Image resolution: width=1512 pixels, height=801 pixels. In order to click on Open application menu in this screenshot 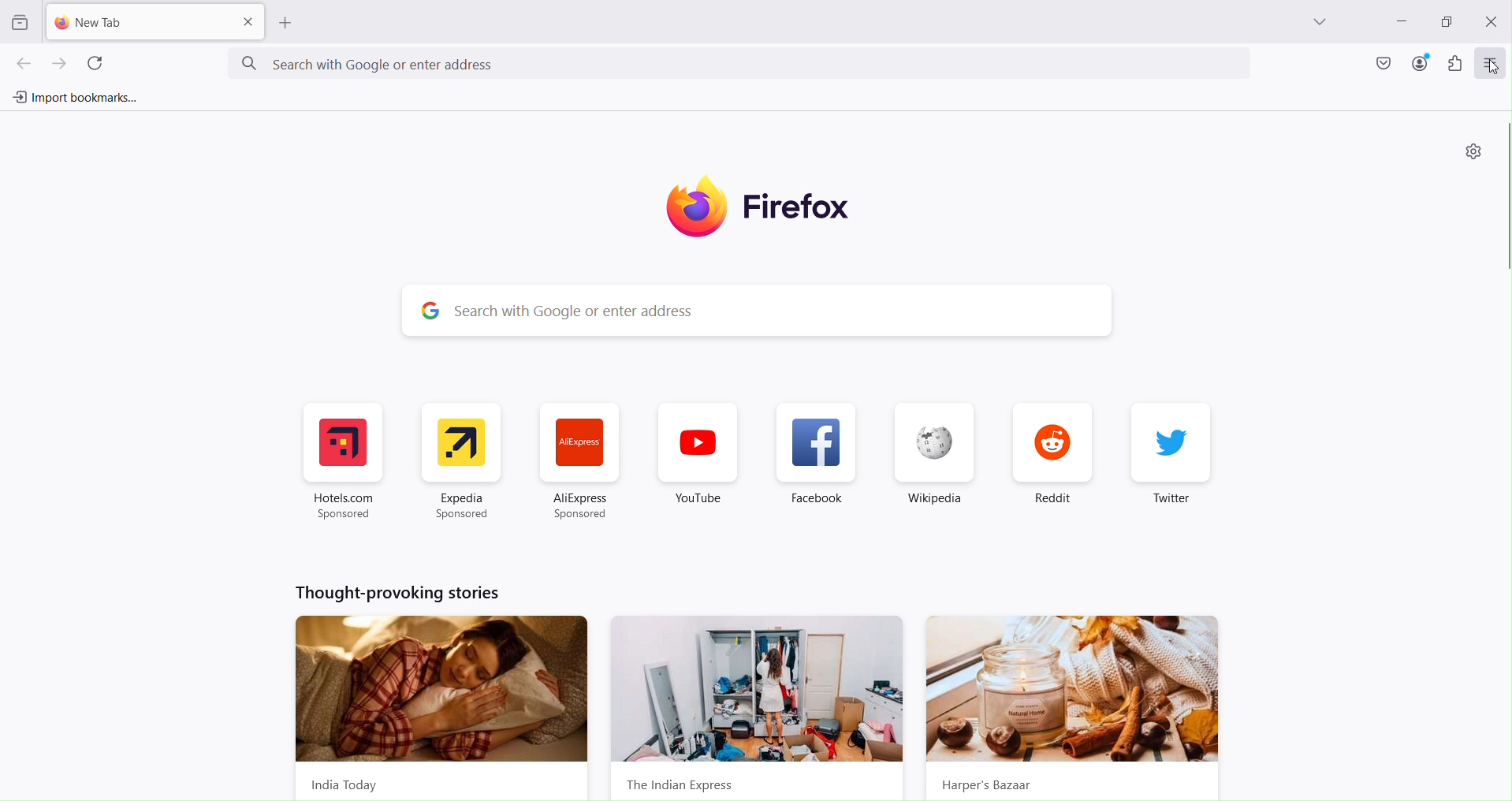, I will do `click(1492, 63)`.